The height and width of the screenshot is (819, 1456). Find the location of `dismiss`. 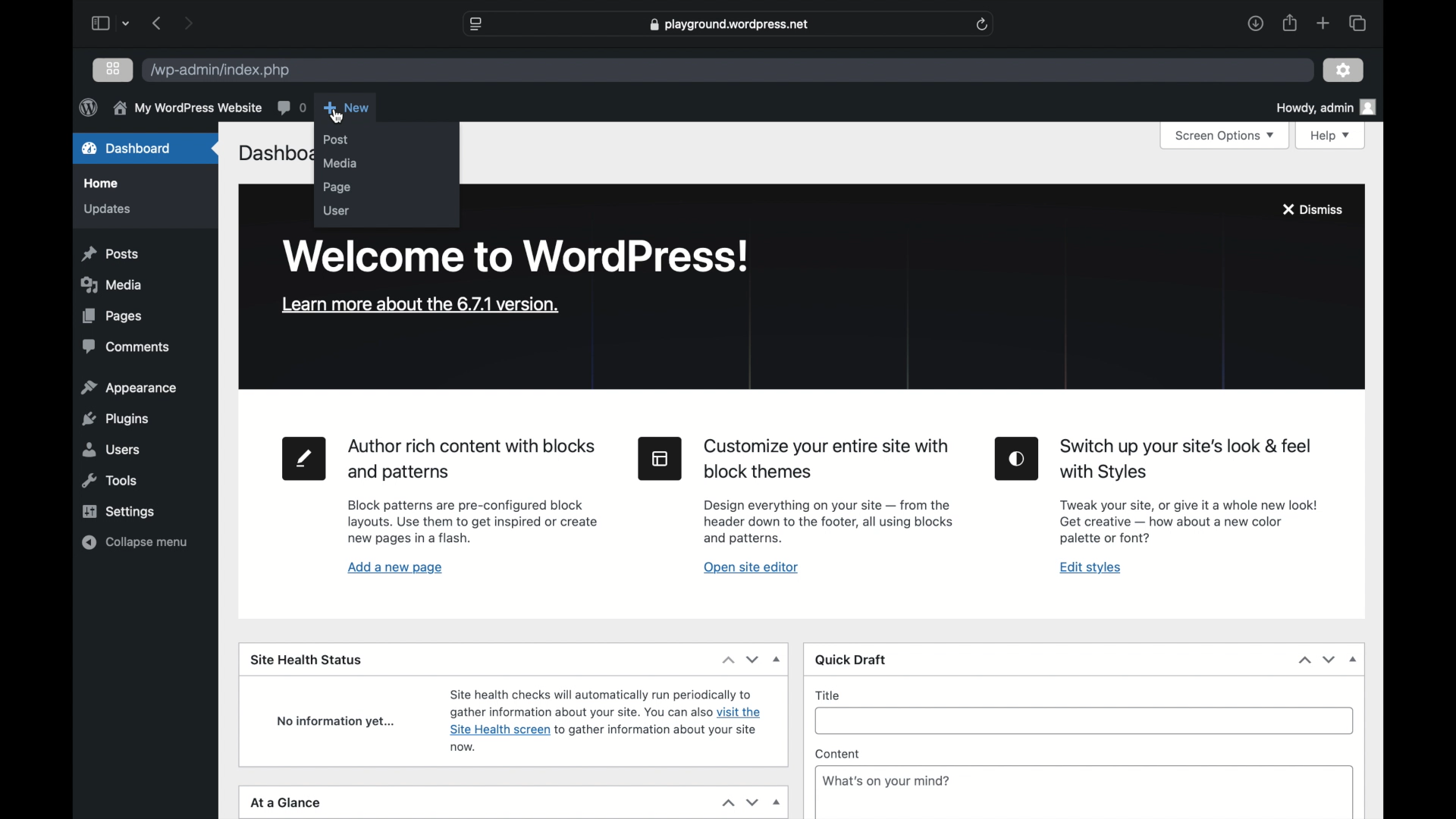

dismiss is located at coordinates (1313, 209).